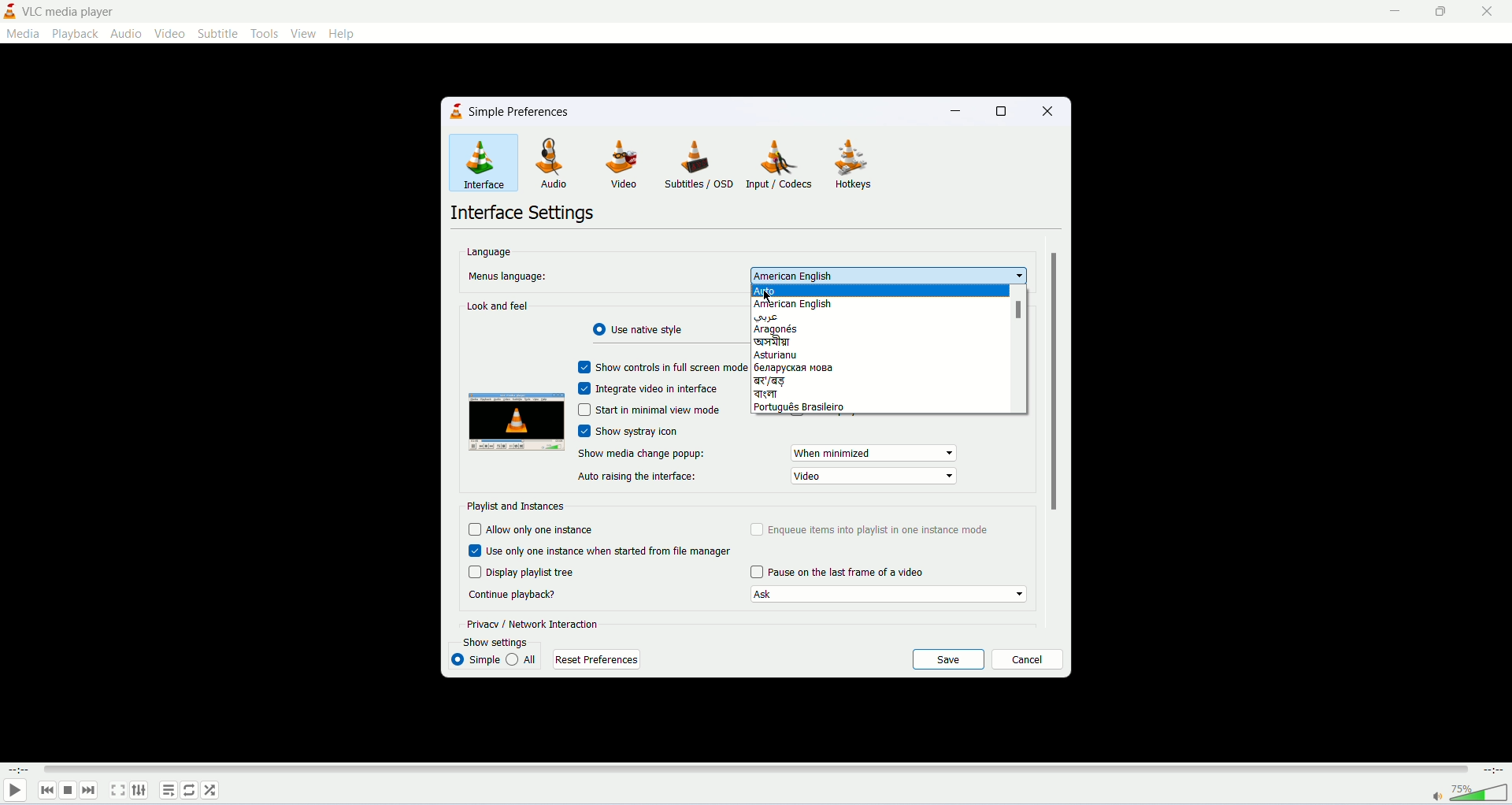 The image size is (1512, 805). I want to click on input/codecs, so click(779, 163).